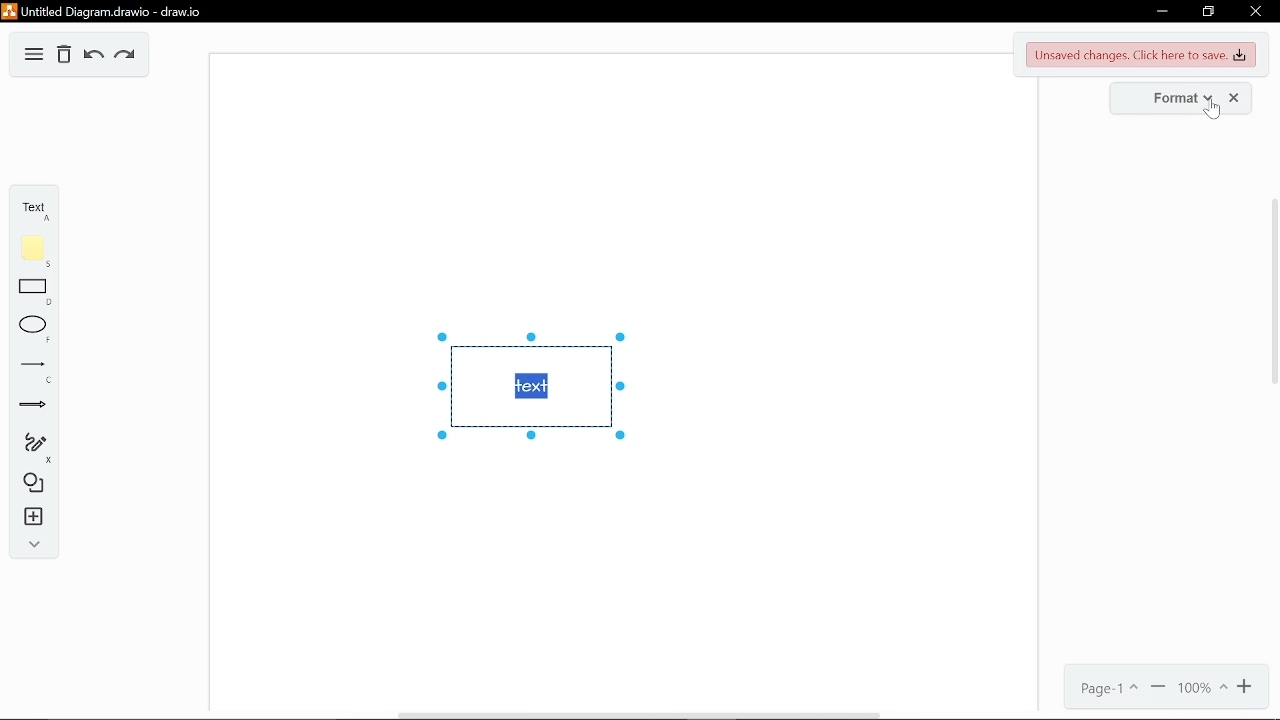  I want to click on minimize, so click(1159, 12).